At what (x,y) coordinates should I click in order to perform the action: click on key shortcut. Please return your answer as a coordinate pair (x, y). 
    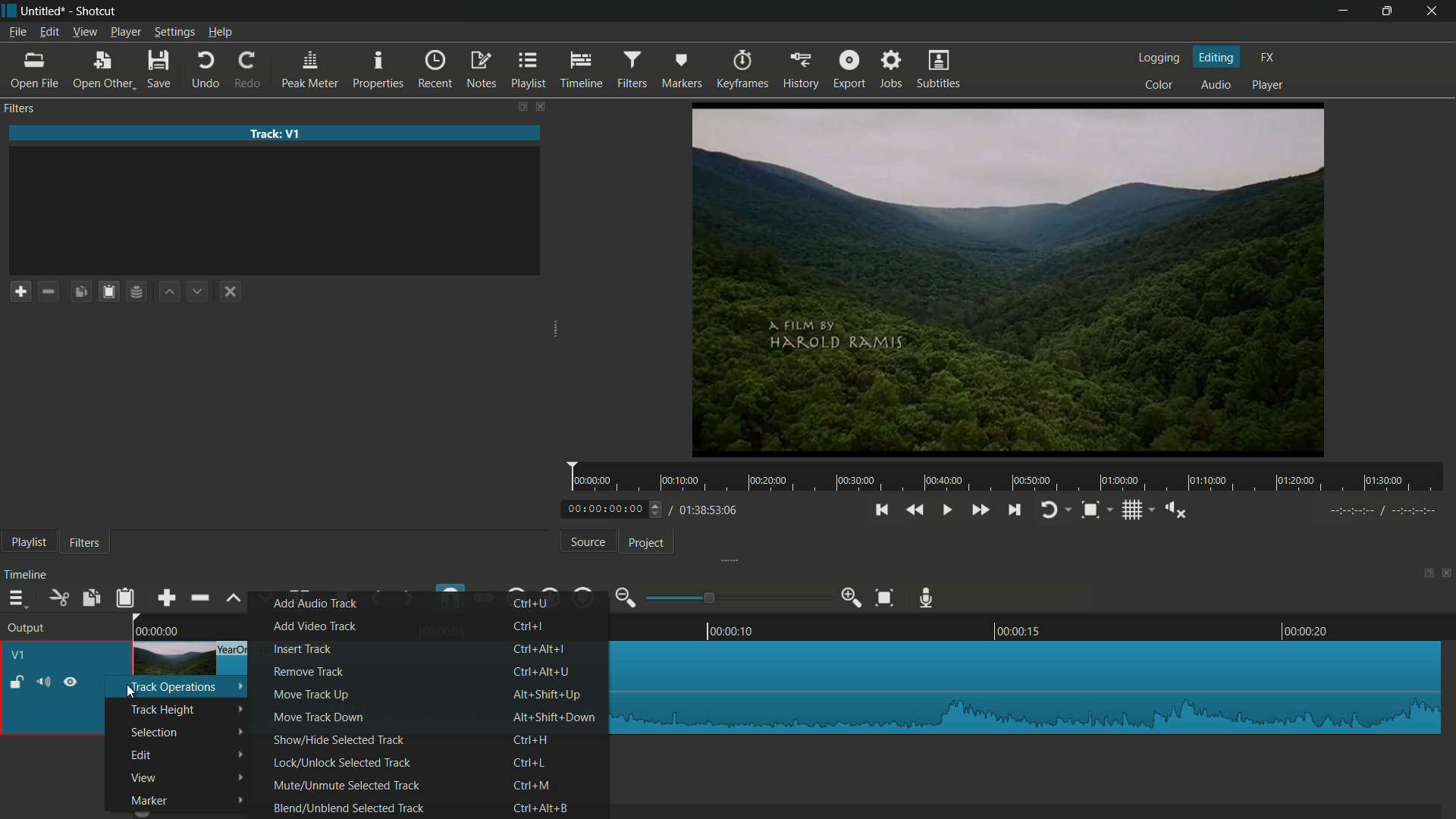
    Looking at the image, I should click on (532, 786).